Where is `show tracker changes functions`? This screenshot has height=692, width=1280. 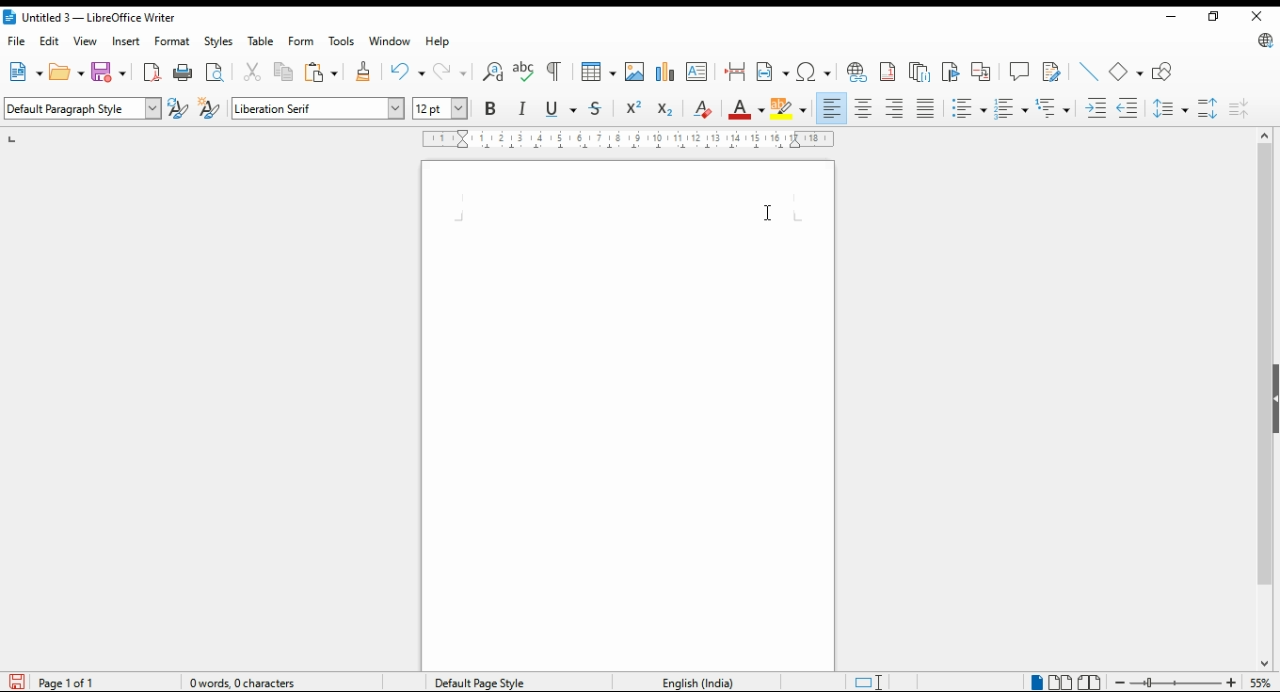 show tracker changes functions is located at coordinates (1054, 70).